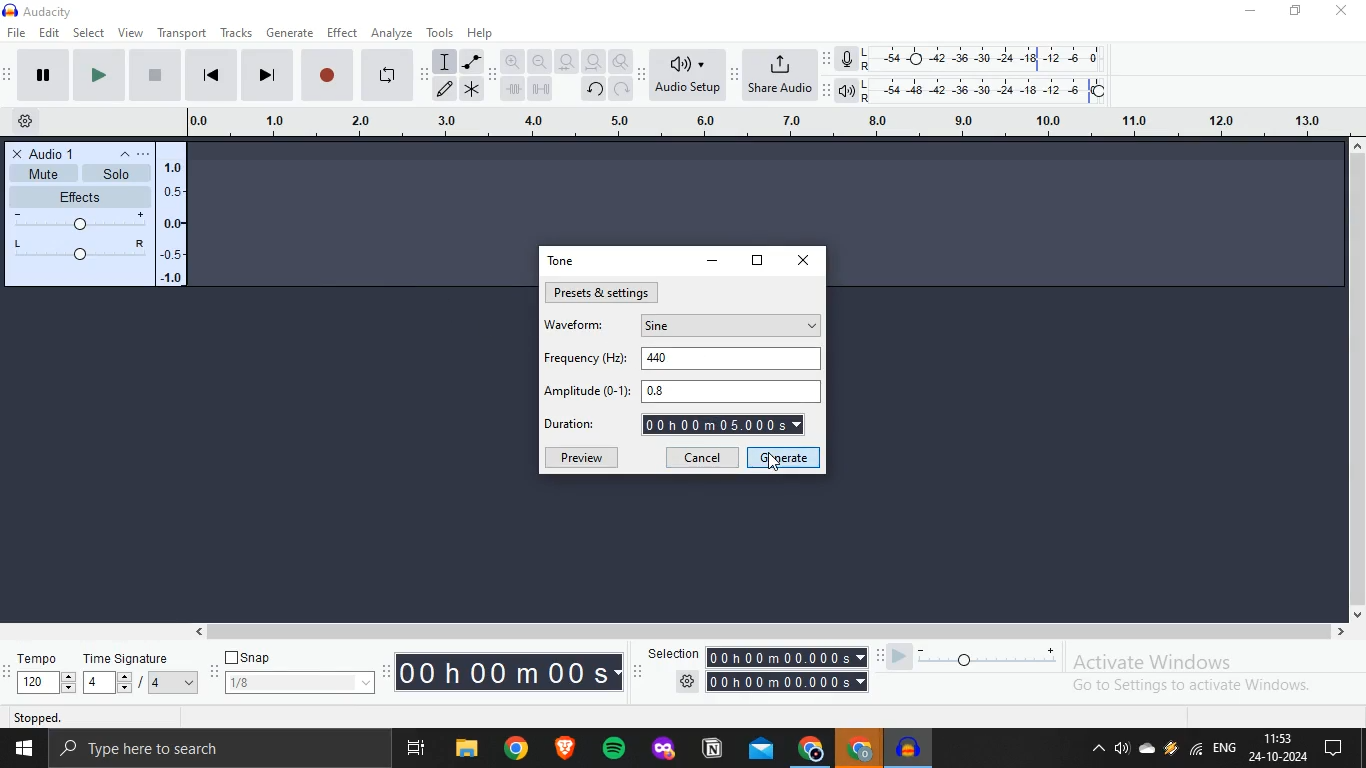 The width and height of the screenshot is (1366, 768). What do you see at coordinates (95, 225) in the screenshot?
I see `Effects` at bounding box center [95, 225].